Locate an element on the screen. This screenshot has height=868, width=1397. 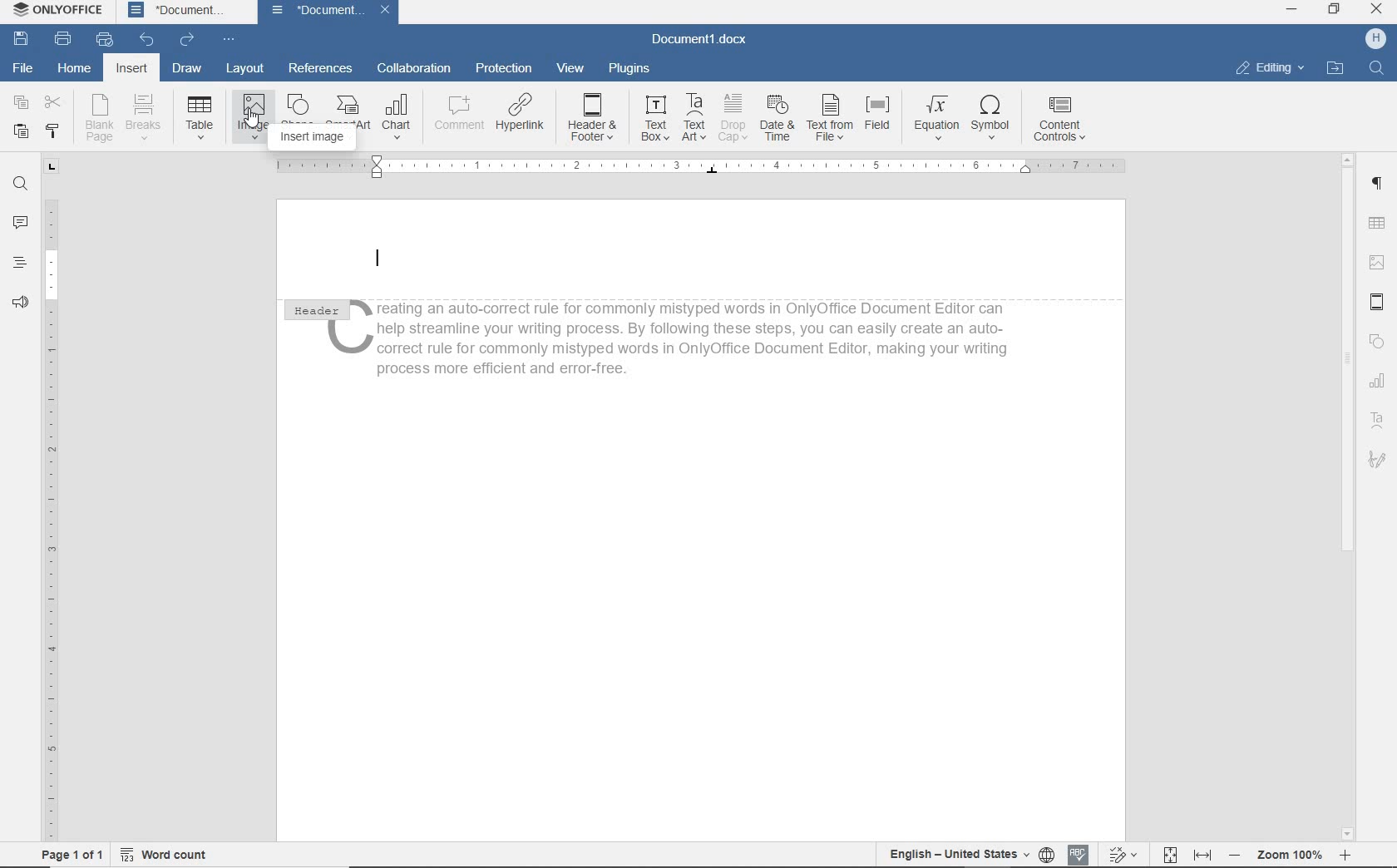
EQUATION is located at coordinates (933, 121).